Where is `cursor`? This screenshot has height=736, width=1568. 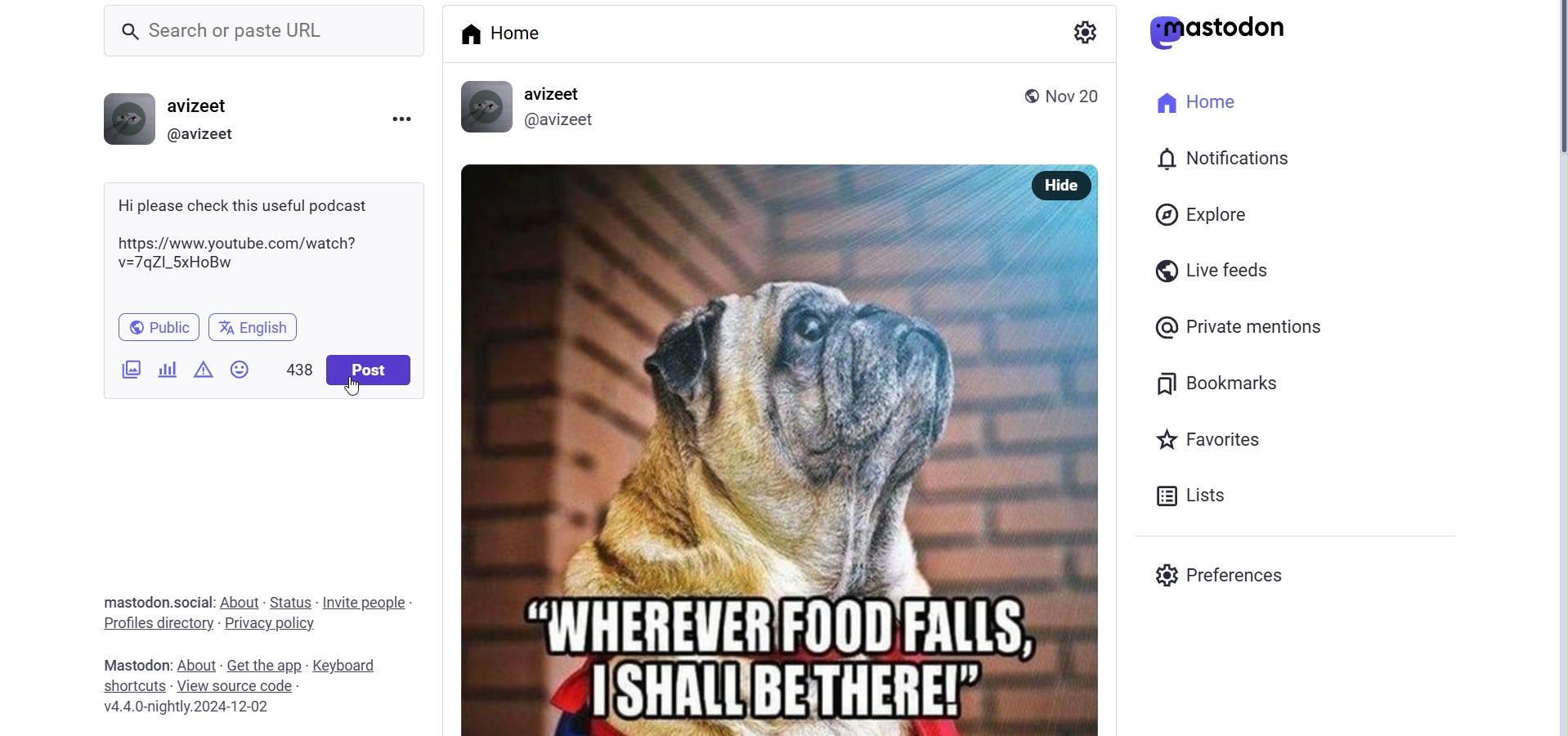 cursor is located at coordinates (316, 432).